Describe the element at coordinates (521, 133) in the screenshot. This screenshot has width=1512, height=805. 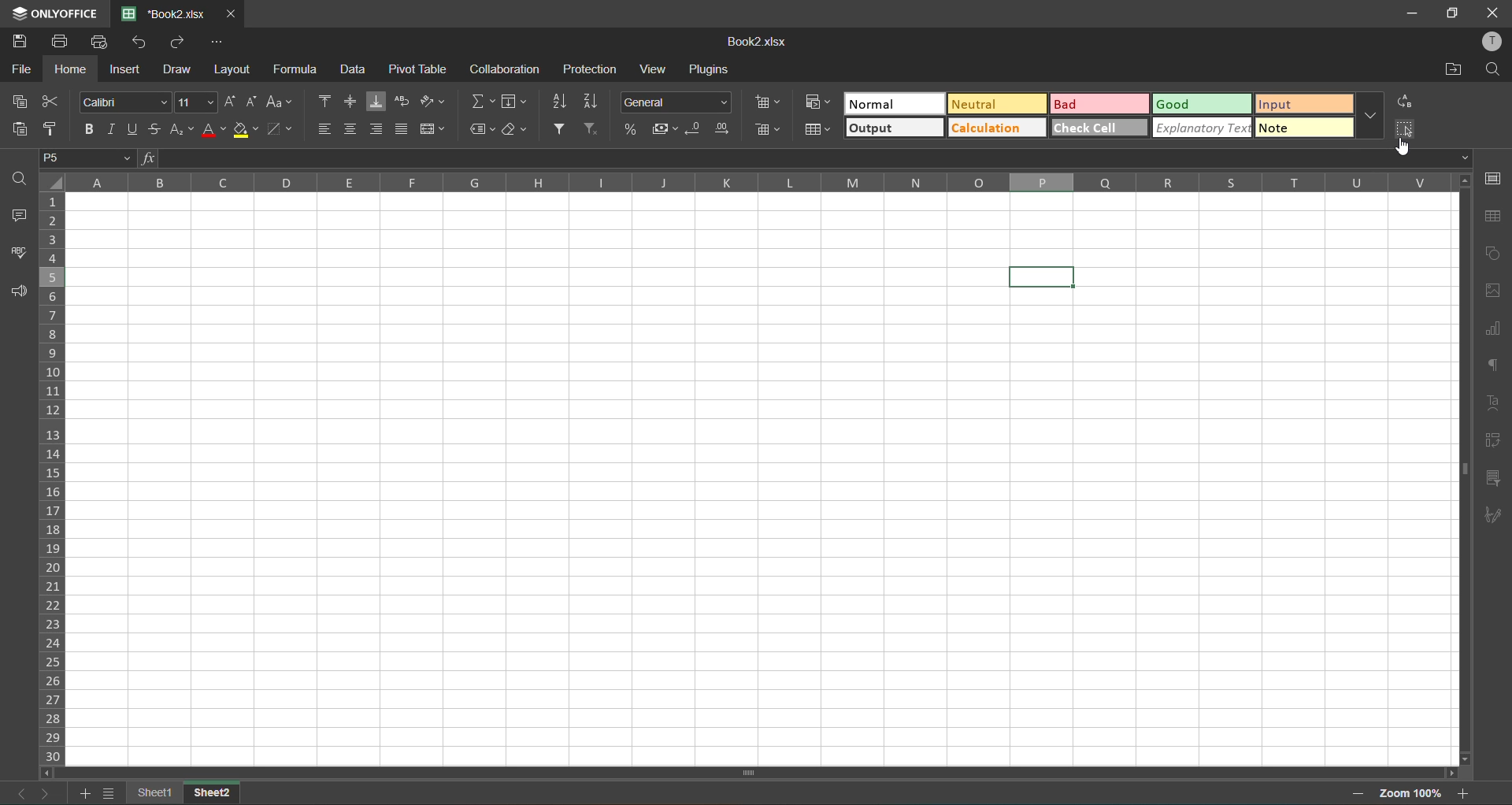
I see `clear` at that location.